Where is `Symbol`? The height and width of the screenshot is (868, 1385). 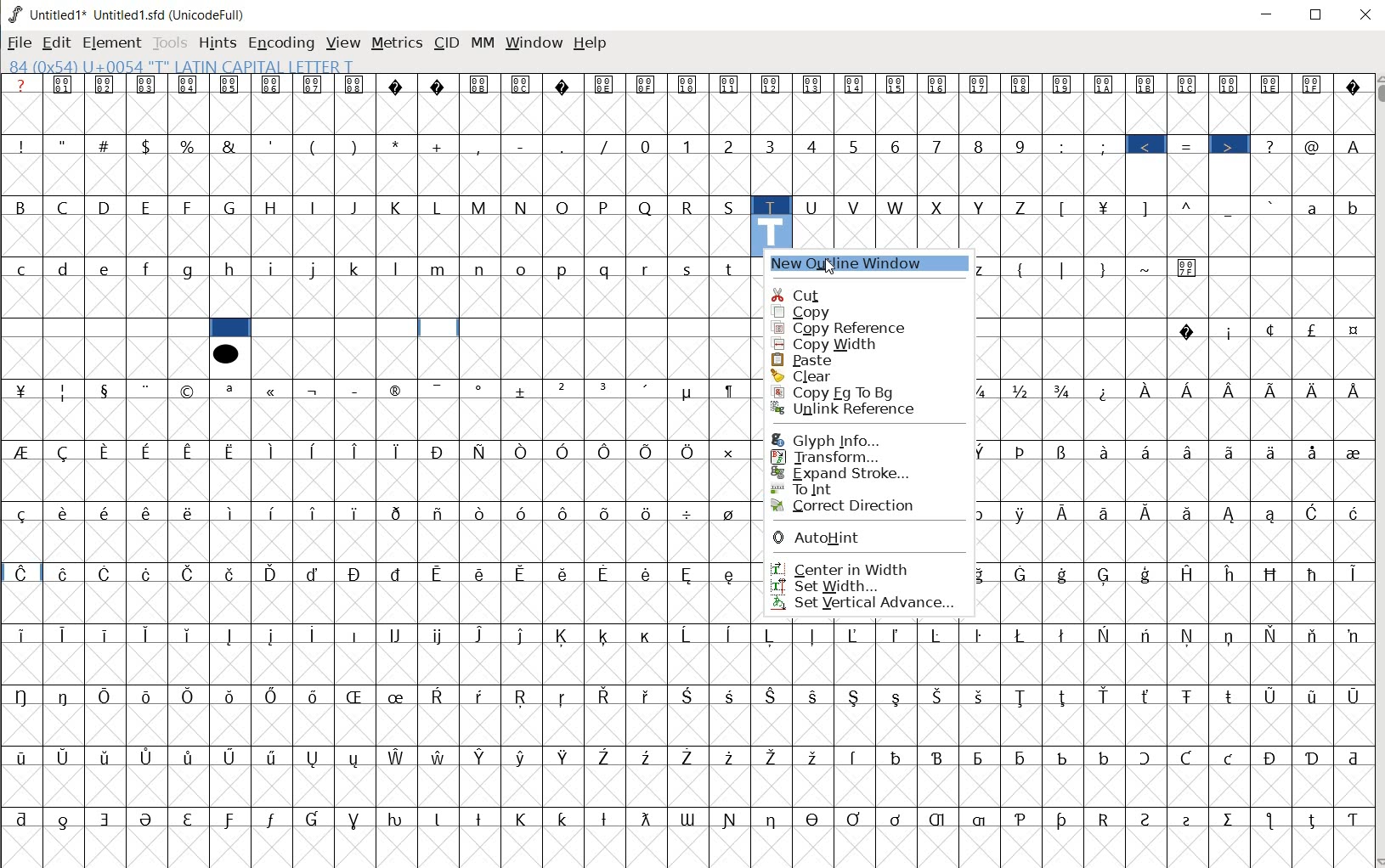 Symbol is located at coordinates (523, 757).